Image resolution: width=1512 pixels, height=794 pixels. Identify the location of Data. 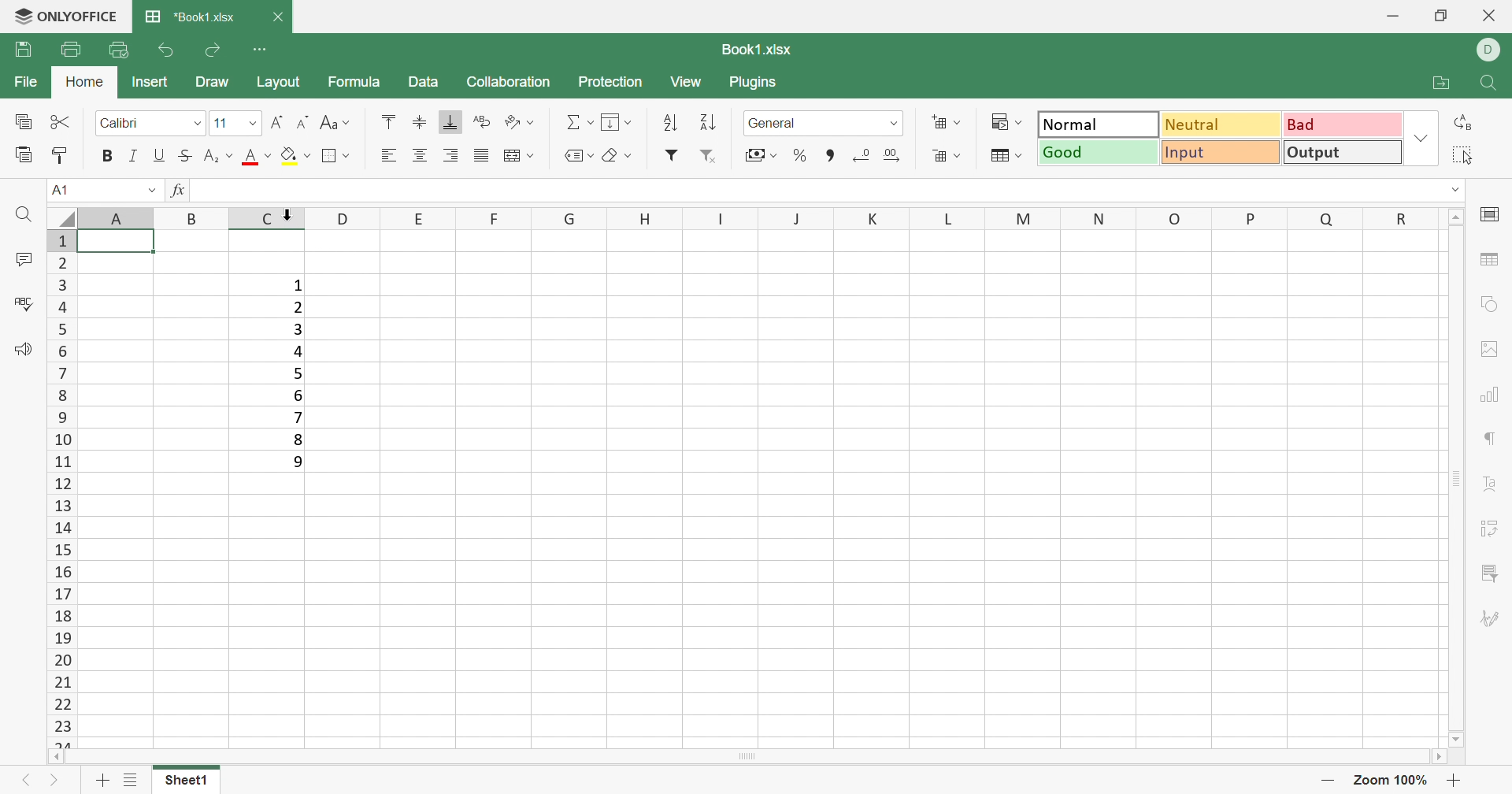
(424, 82).